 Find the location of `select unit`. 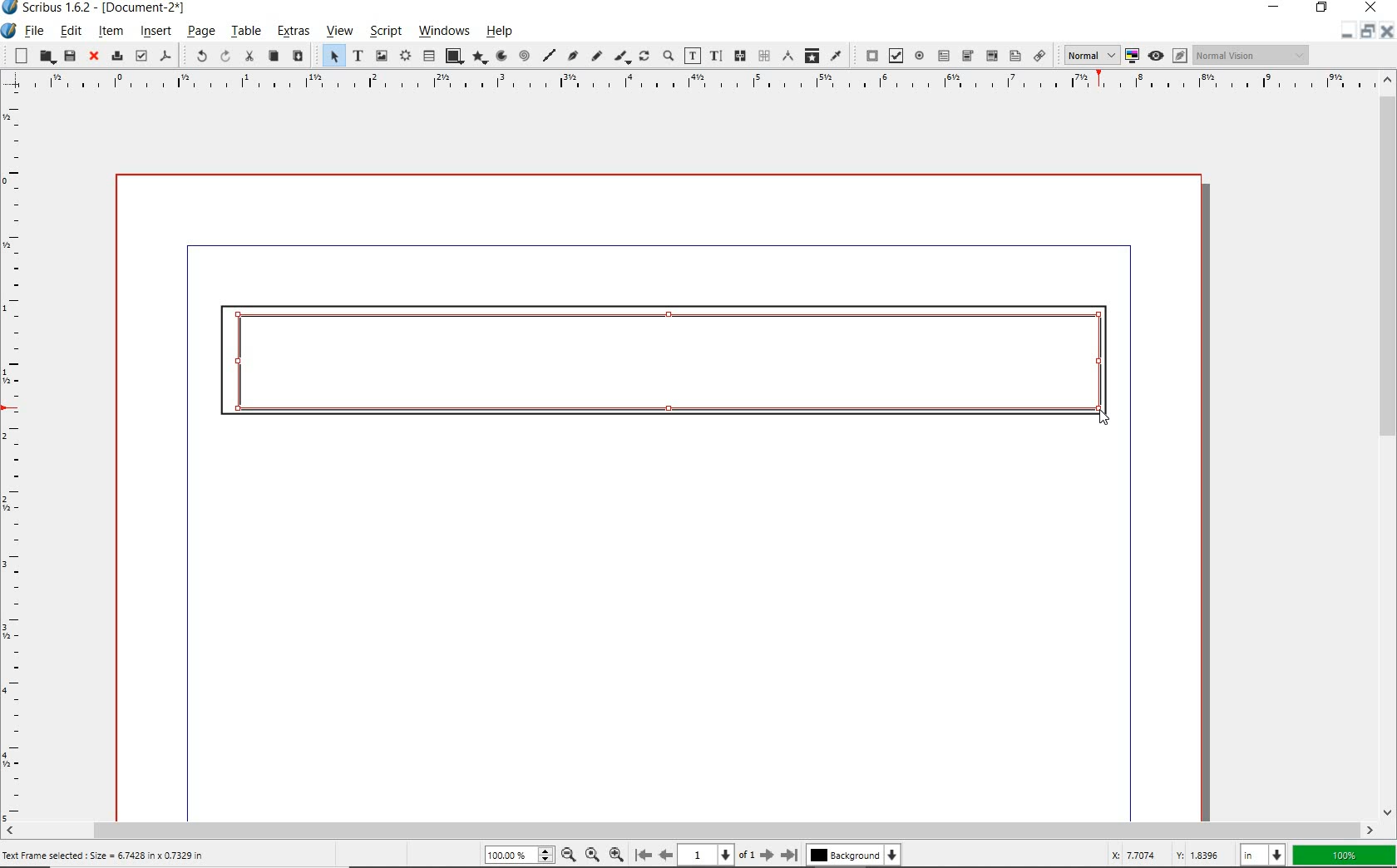

select unit is located at coordinates (1261, 856).